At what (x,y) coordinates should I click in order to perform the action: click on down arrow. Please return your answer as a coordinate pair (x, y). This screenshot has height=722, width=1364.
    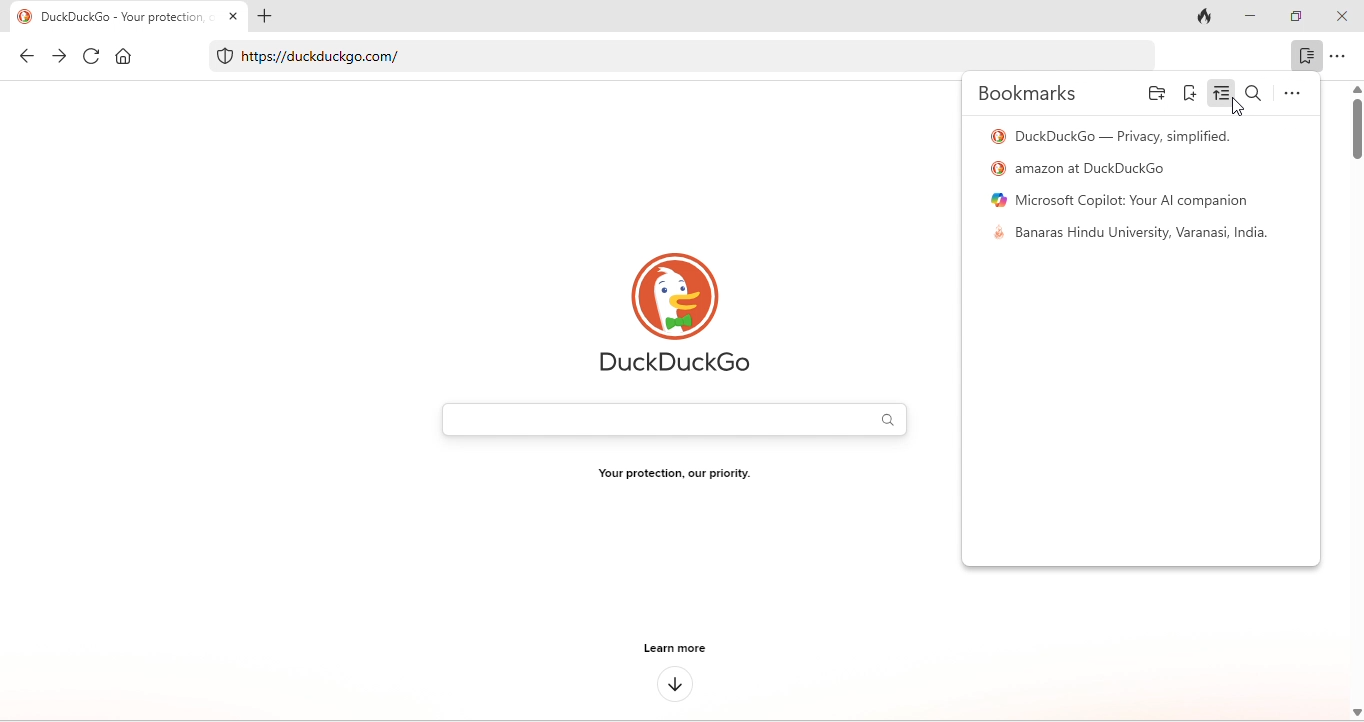
    Looking at the image, I should click on (675, 684).